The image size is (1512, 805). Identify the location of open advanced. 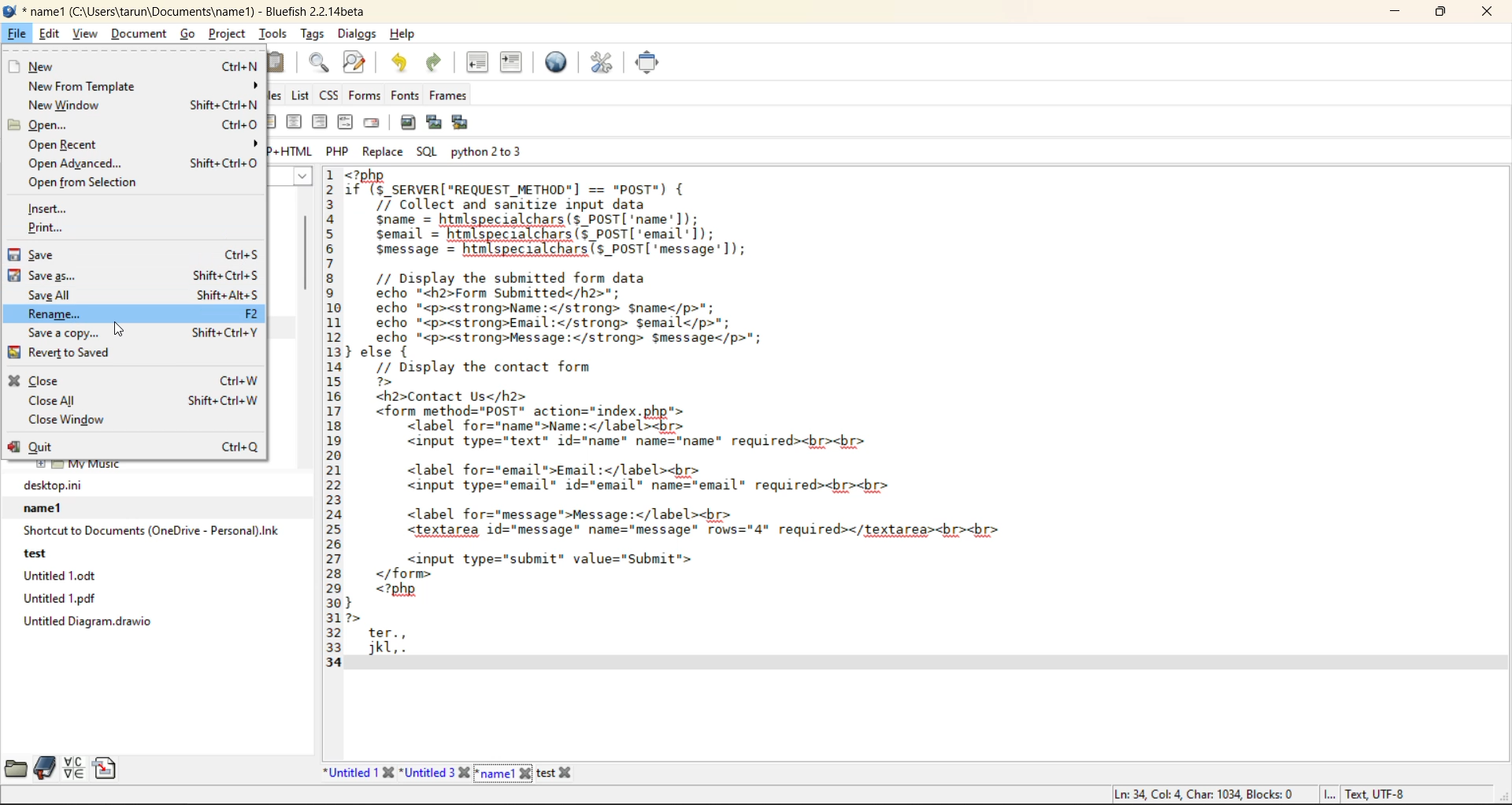
(141, 163).